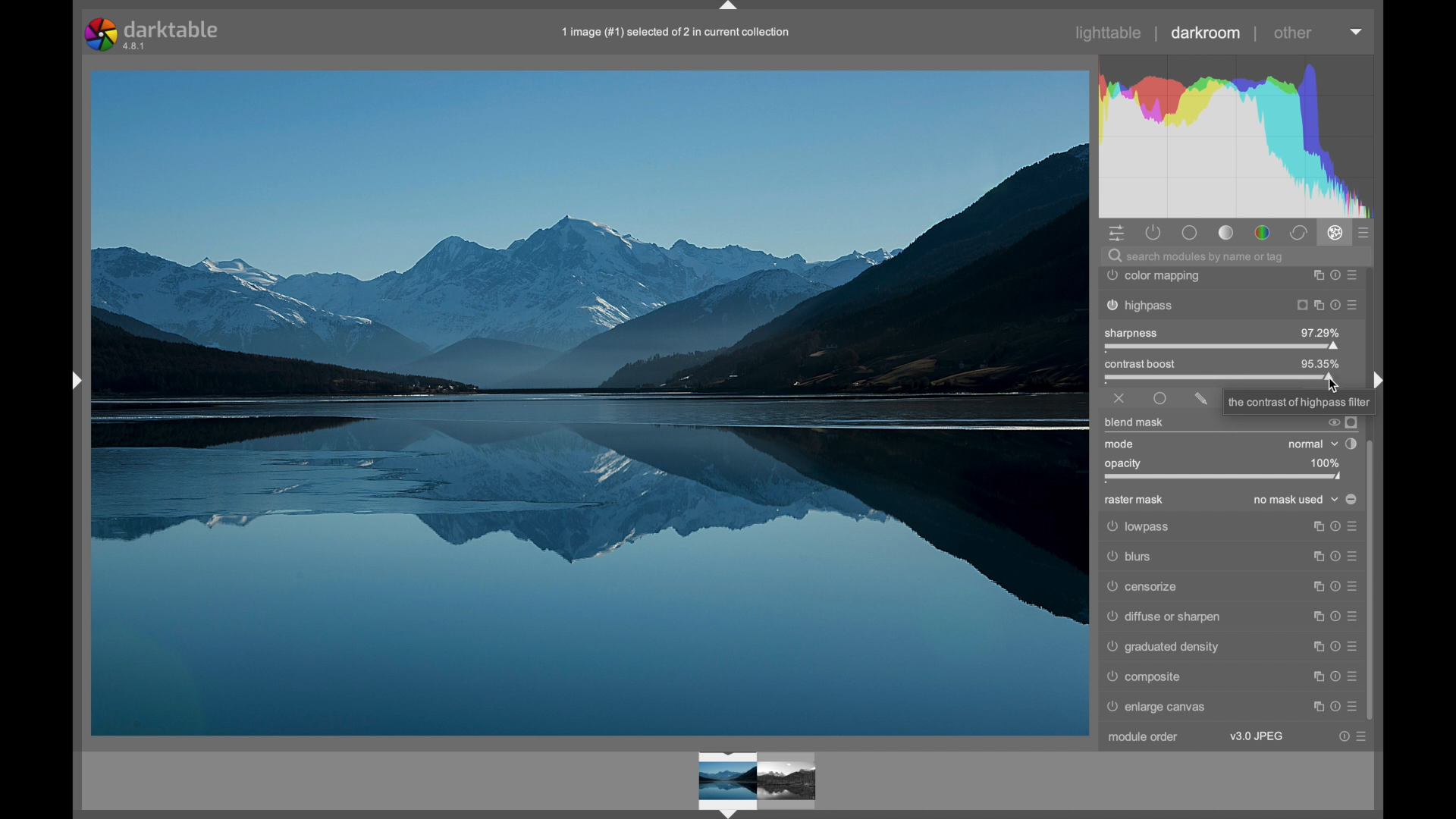 This screenshot has height=819, width=1456. I want to click on color, so click(1263, 234).